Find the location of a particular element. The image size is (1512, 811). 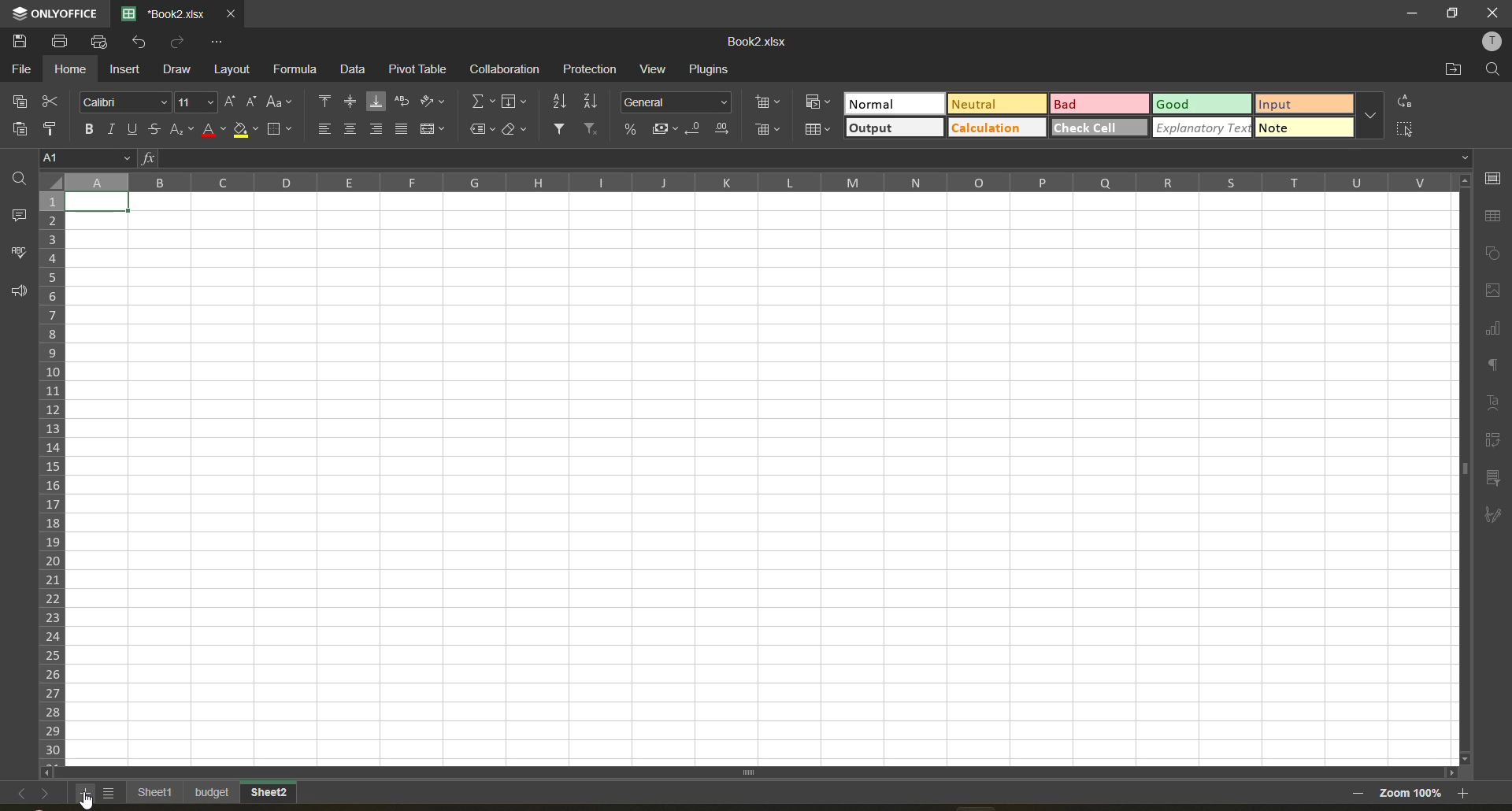

redo is located at coordinates (173, 43).